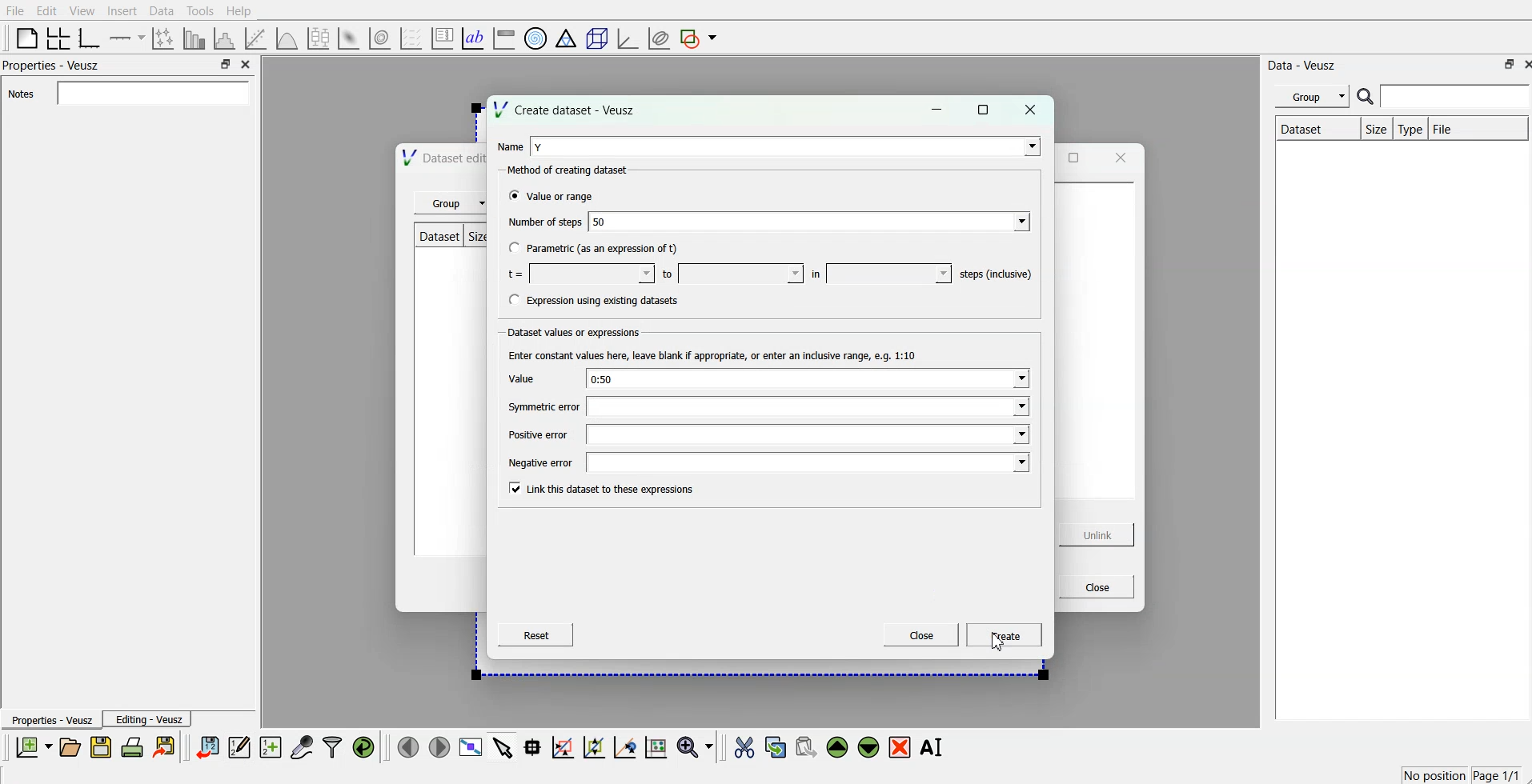  I want to click on plot key, so click(442, 37).